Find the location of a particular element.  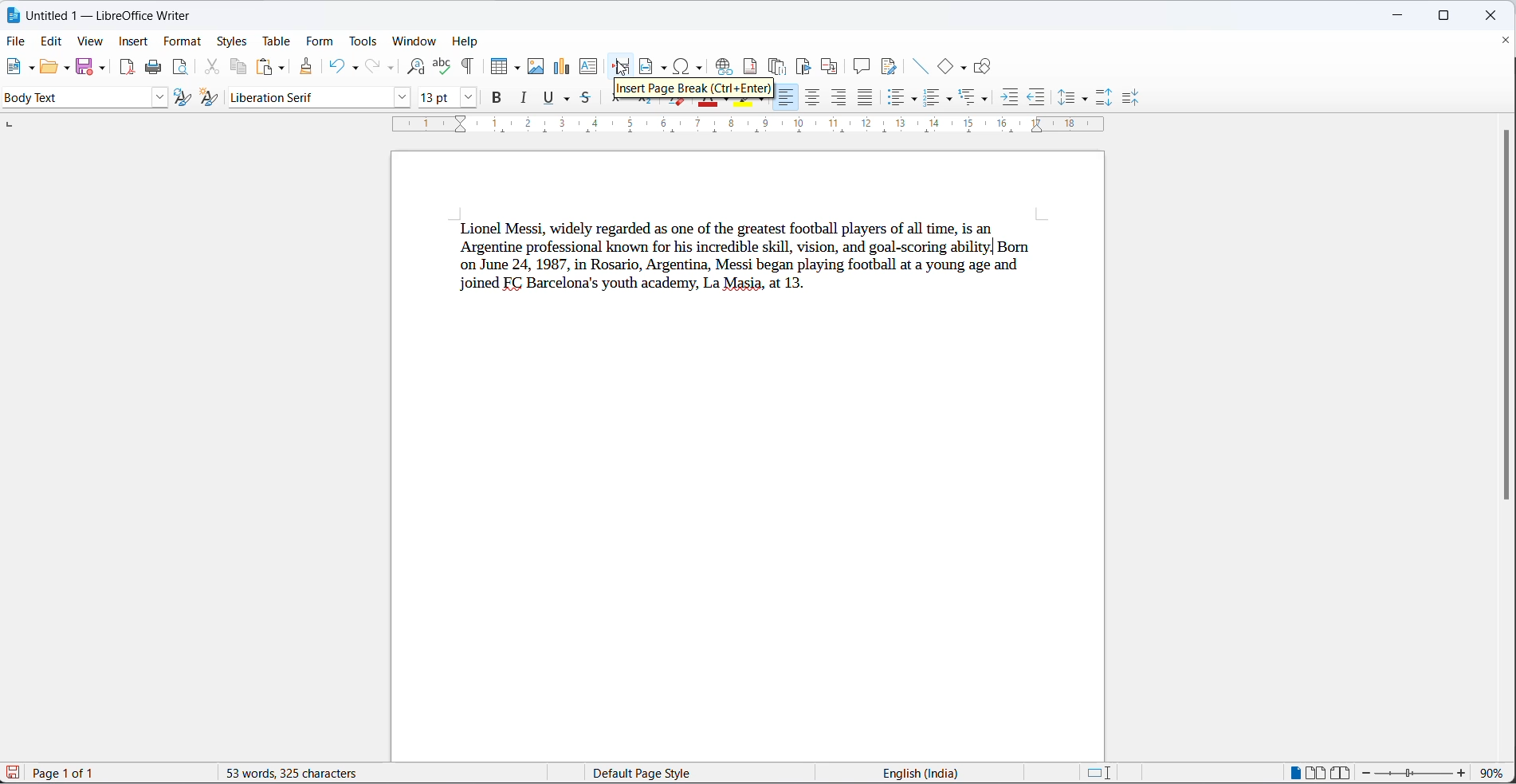

find and replace is located at coordinates (415, 68).